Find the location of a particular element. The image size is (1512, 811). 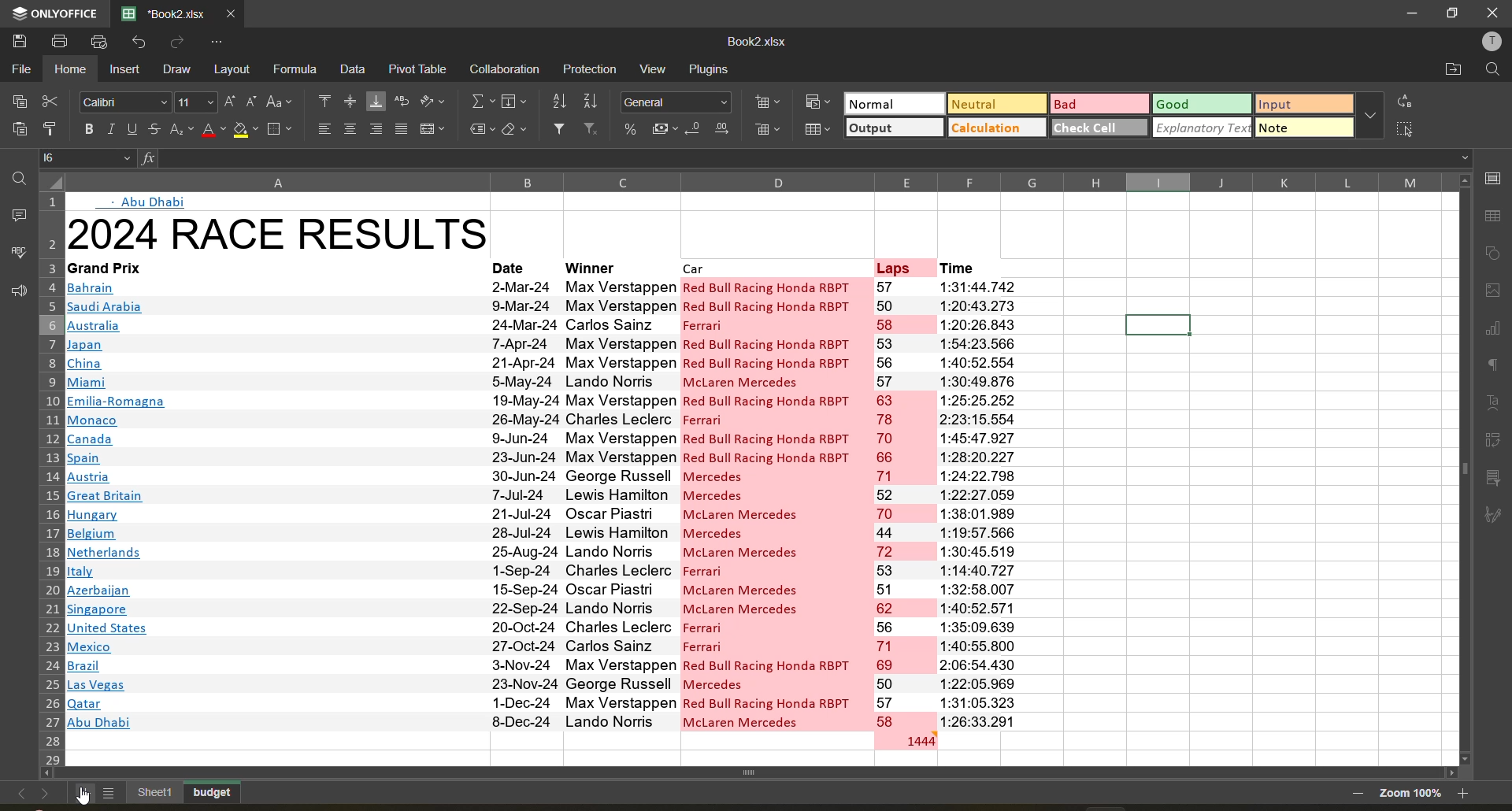

total is located at coordinates (904, 739).